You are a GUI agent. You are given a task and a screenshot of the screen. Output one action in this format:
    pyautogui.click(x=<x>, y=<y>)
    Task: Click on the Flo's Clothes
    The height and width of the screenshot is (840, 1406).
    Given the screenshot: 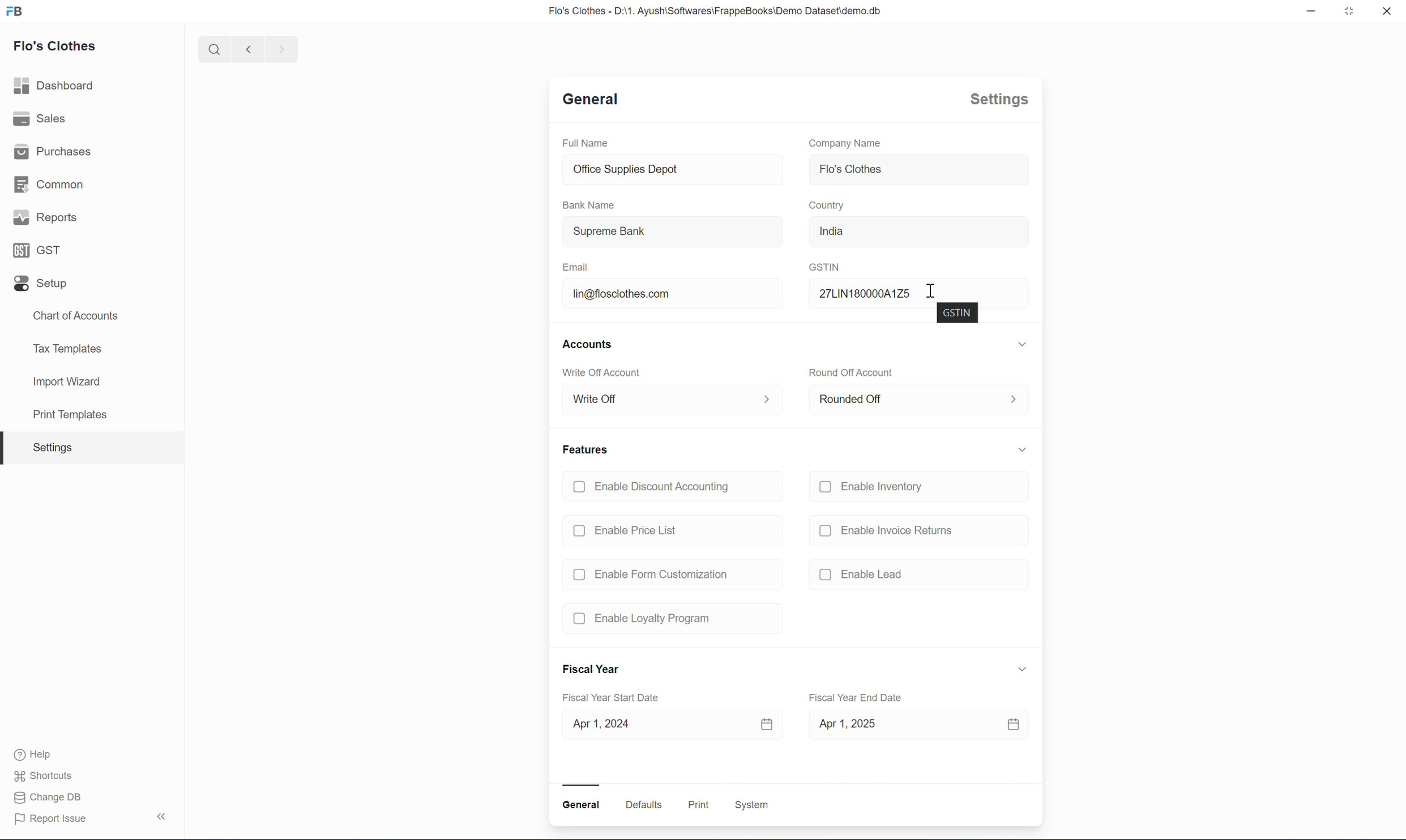 What is the action you would take?
    pyautogui.click(x=55, y=47)
    